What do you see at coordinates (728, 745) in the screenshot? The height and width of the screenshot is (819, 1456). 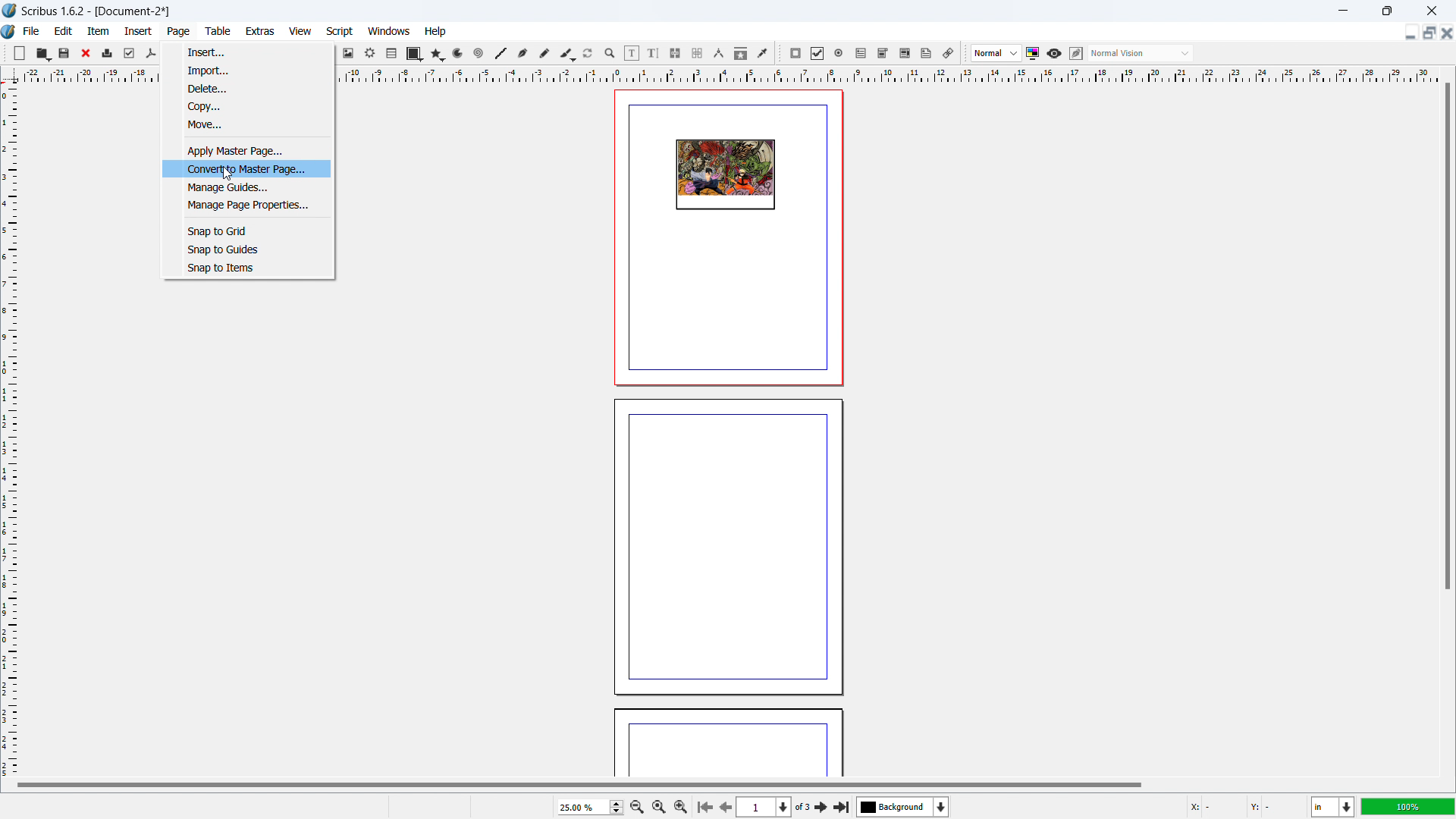 I see `page` at bounding box center [728, 745].